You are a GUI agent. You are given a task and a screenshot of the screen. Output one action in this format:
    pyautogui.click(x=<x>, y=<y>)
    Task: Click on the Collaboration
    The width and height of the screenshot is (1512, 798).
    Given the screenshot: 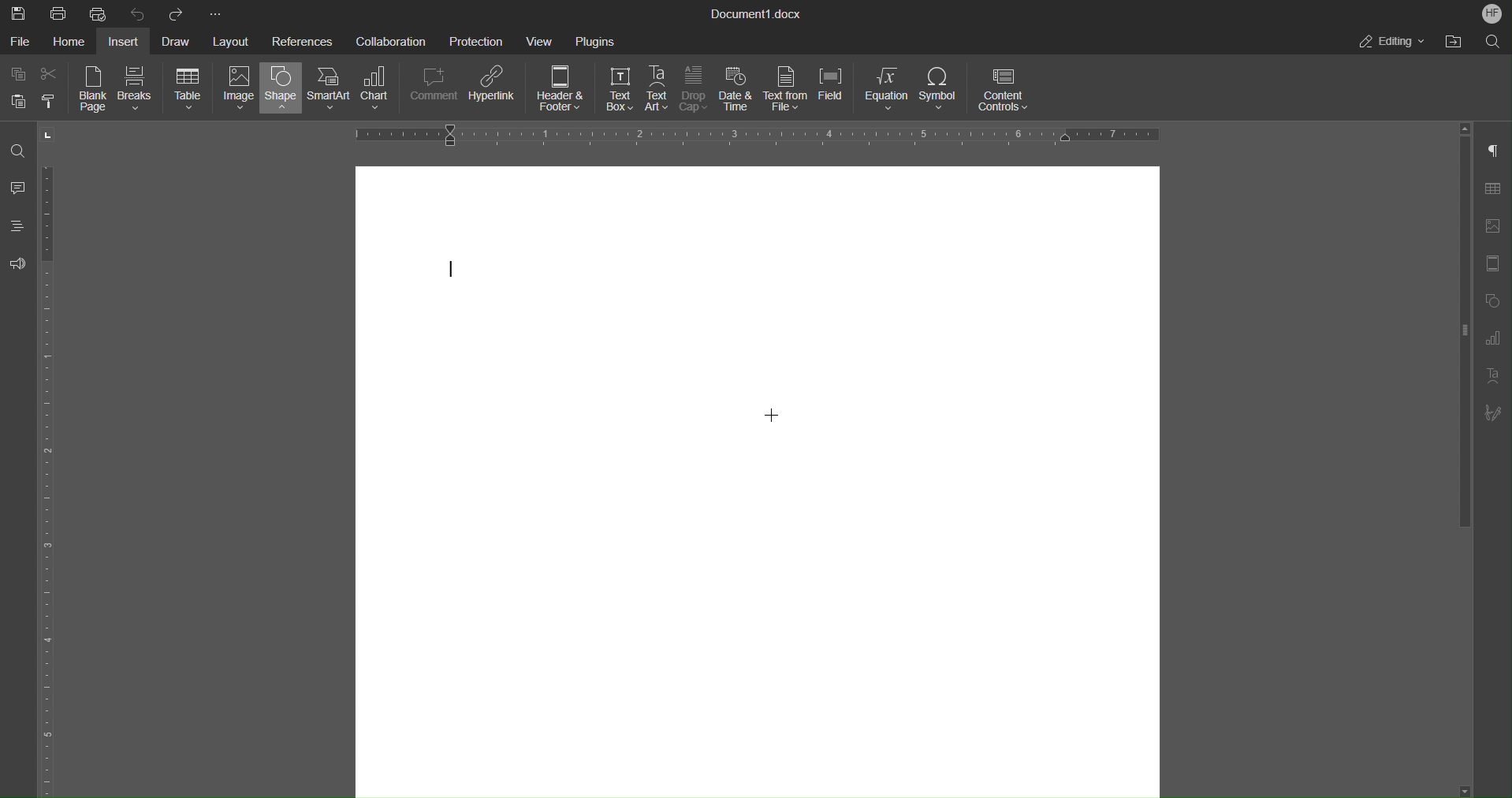 What is the action you would take?
    pyautogui.click(x=389, y=41)
    